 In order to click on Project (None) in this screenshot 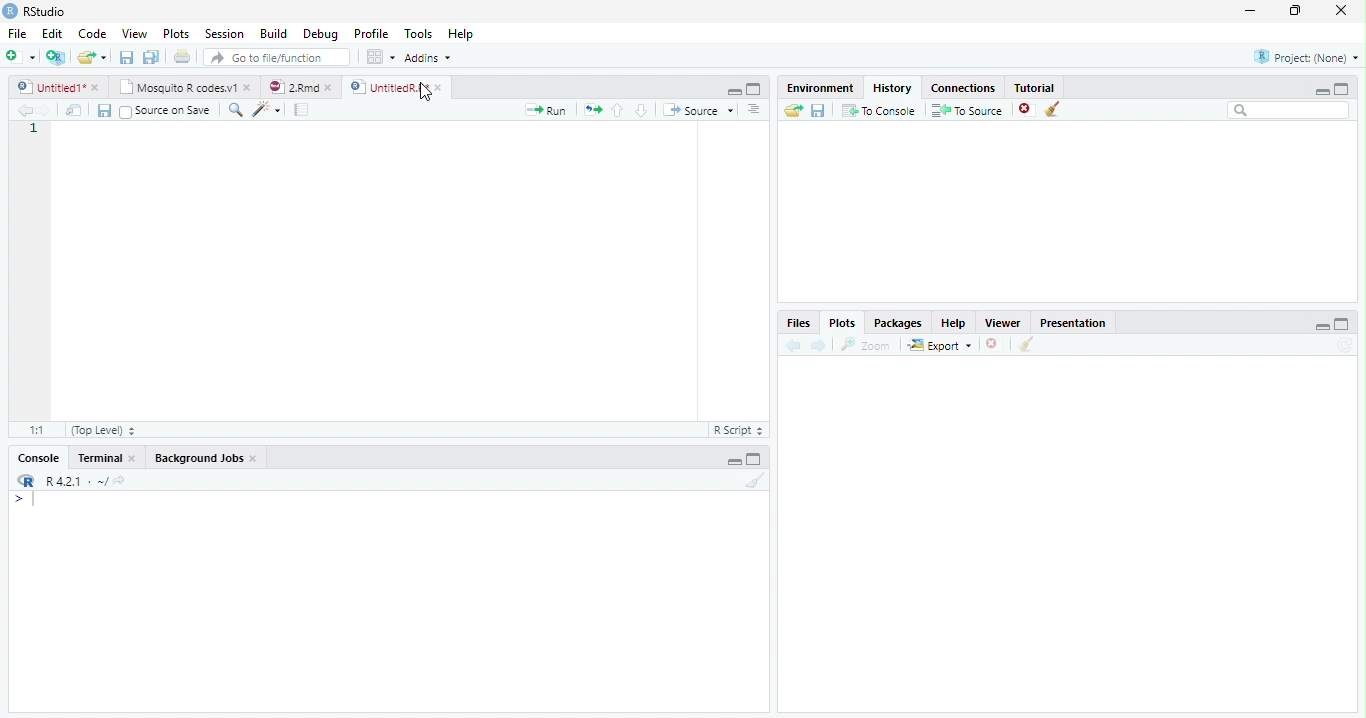, I will do `click(1305, 57)`.